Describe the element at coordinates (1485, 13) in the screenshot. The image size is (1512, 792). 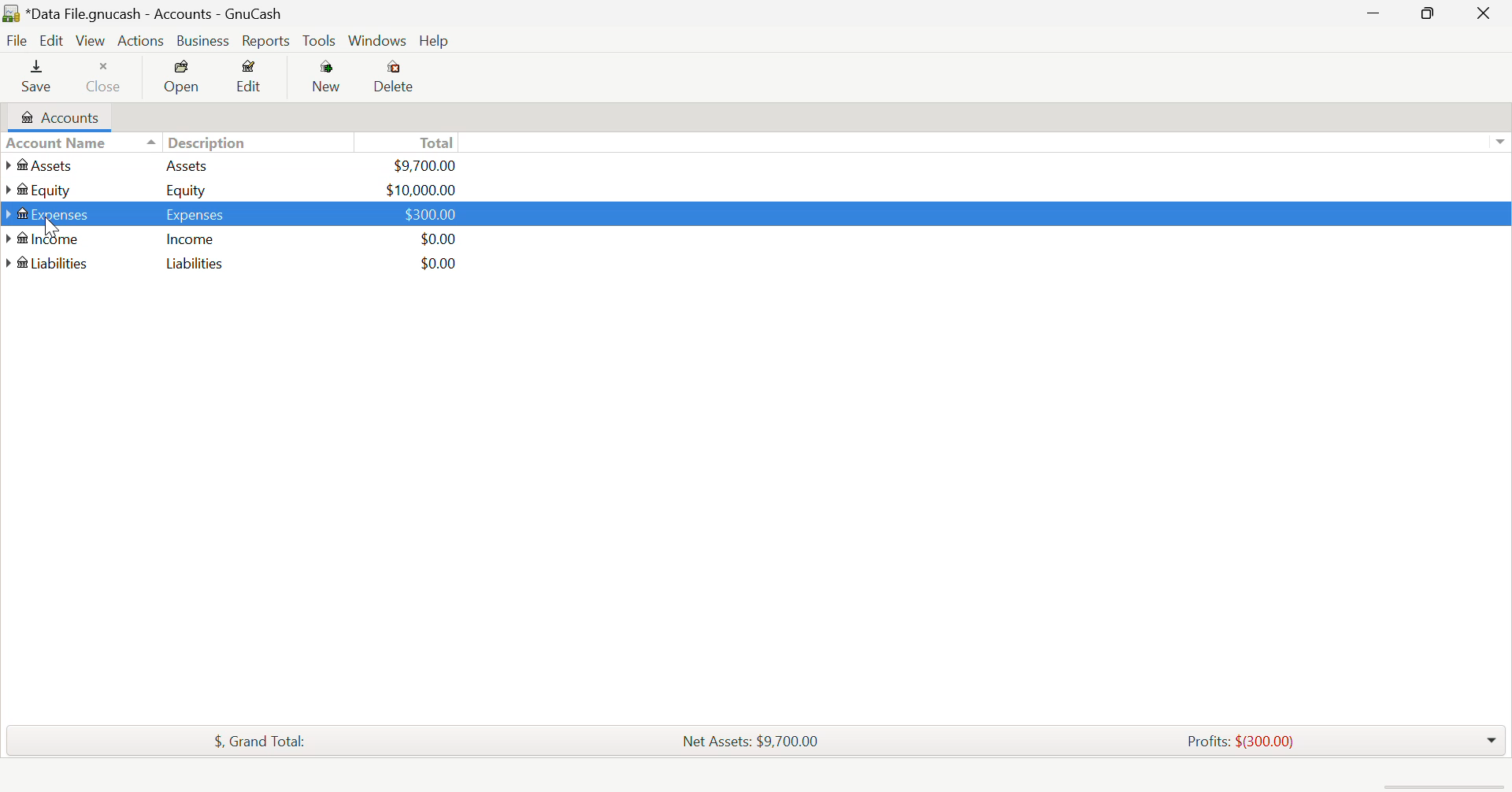
I see `Close Window` at that location.